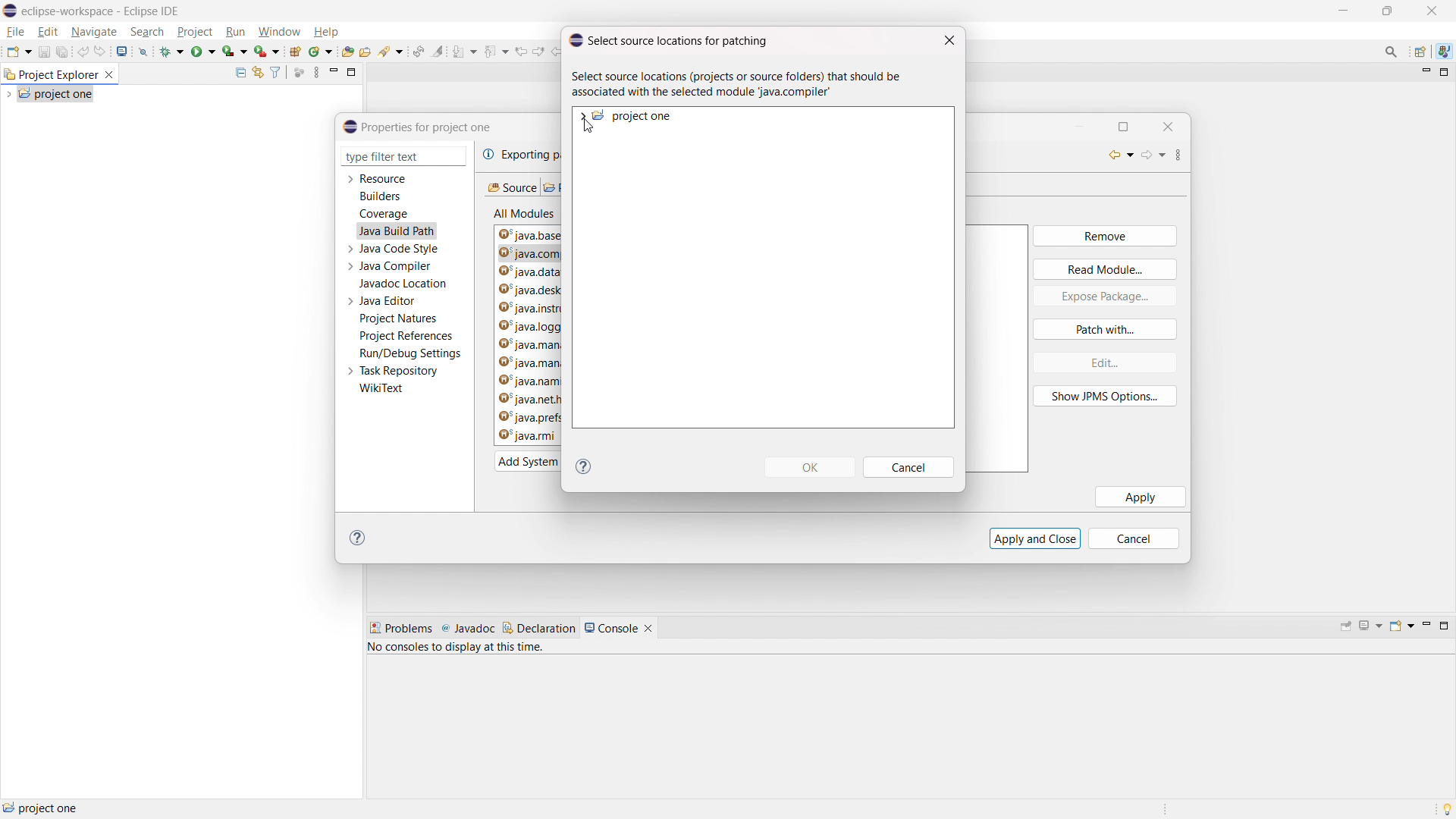 The image size is (1456, 819). What do you see at coordinates (538, 49) in the screenshot?
I see `view next location` at bounding box center [538, 49].